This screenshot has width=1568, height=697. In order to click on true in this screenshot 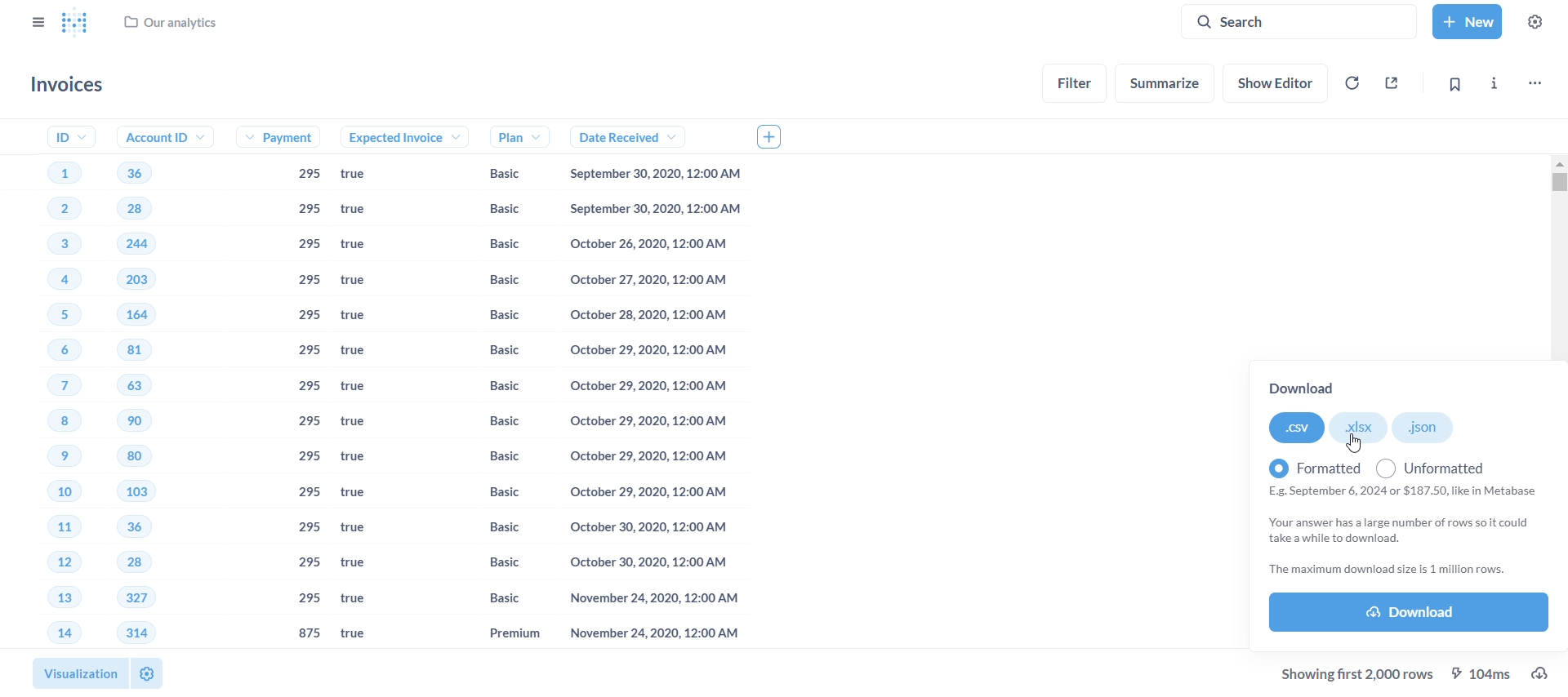, I will do `click(369, 175)`.